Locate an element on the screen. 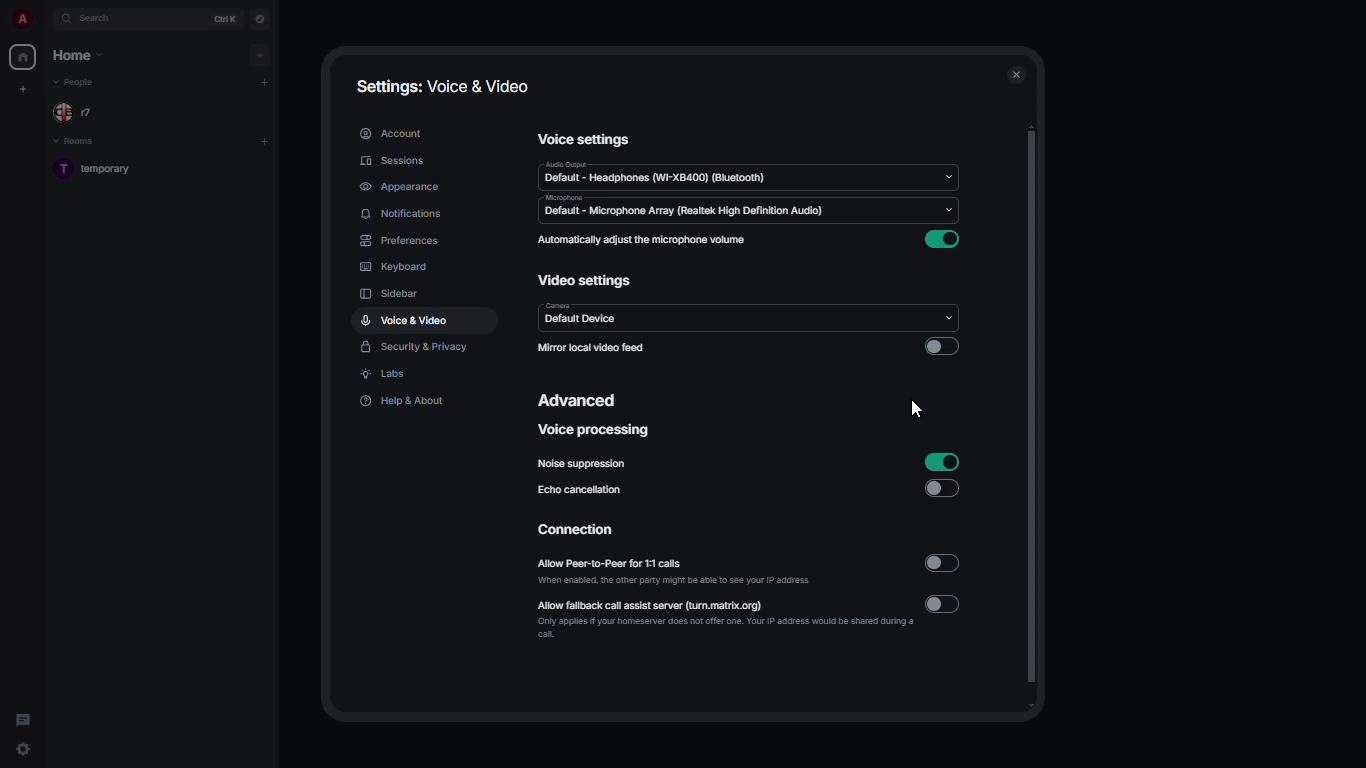 Image resolution: width=1366 pixels, height=768 pixels. cursor is located at coordinates (24, 751).